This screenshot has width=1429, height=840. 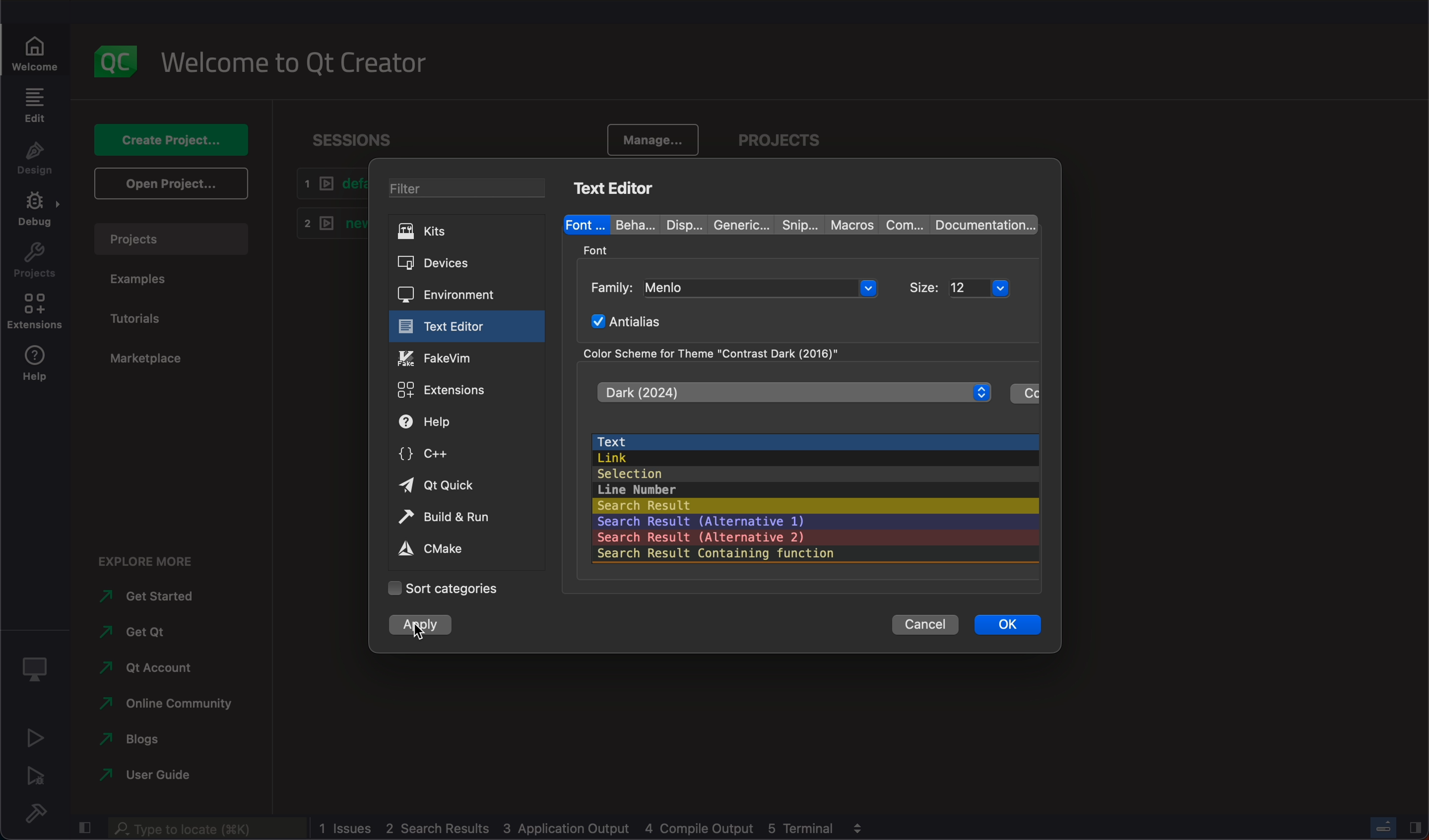 I want to click on logo, so click(x=120, y=62).